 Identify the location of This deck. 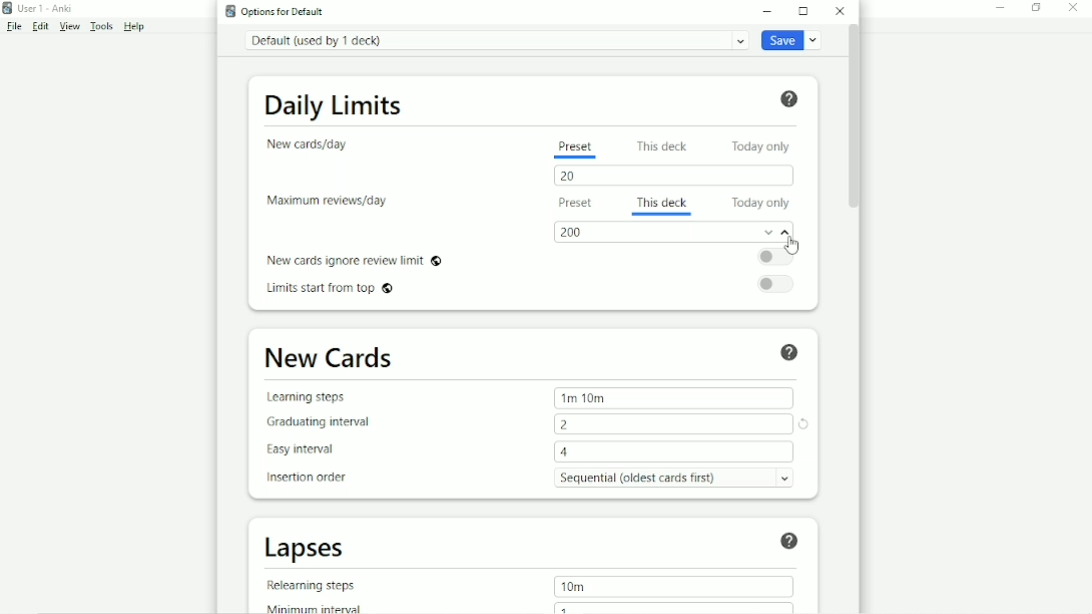
(665, 145).